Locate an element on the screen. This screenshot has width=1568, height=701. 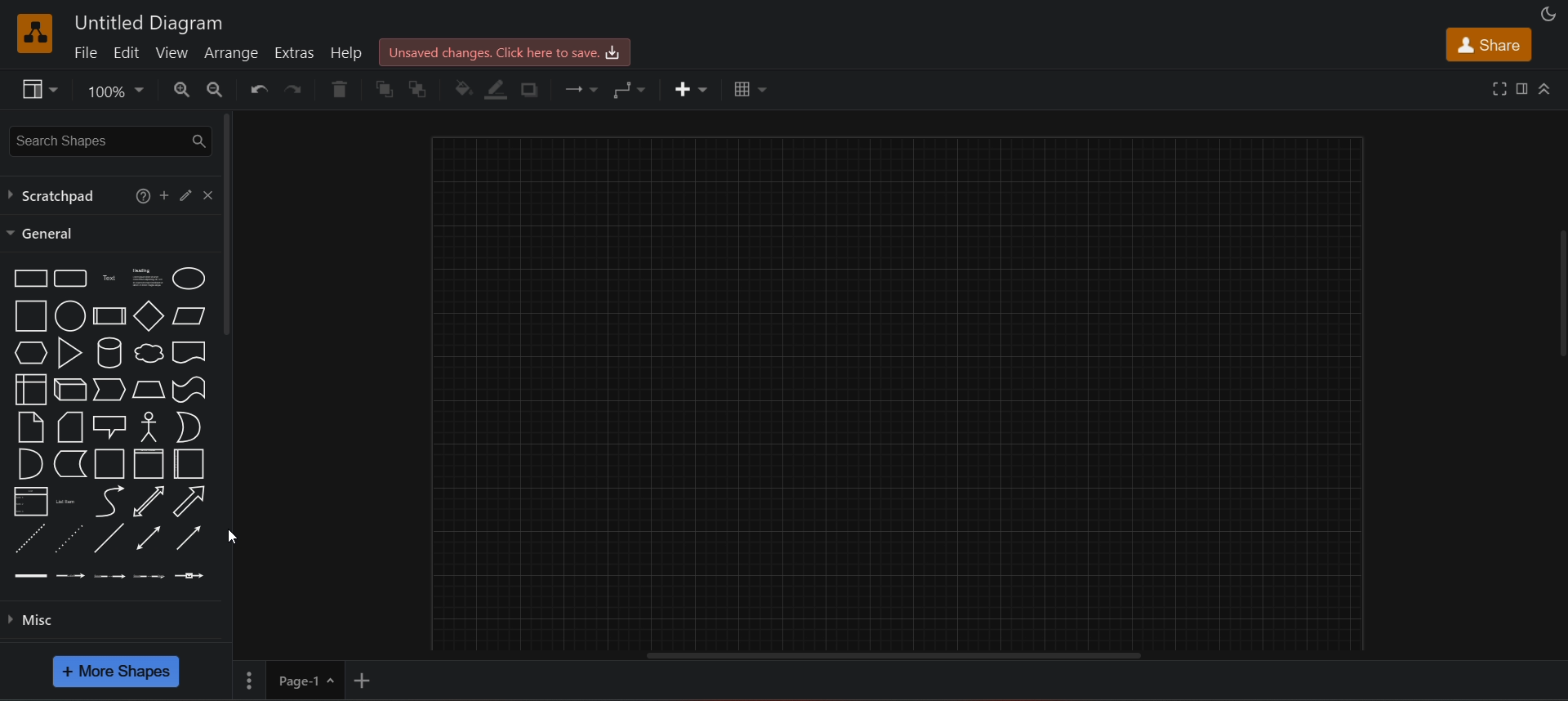
appearance is located at coordinates (1548, 13).